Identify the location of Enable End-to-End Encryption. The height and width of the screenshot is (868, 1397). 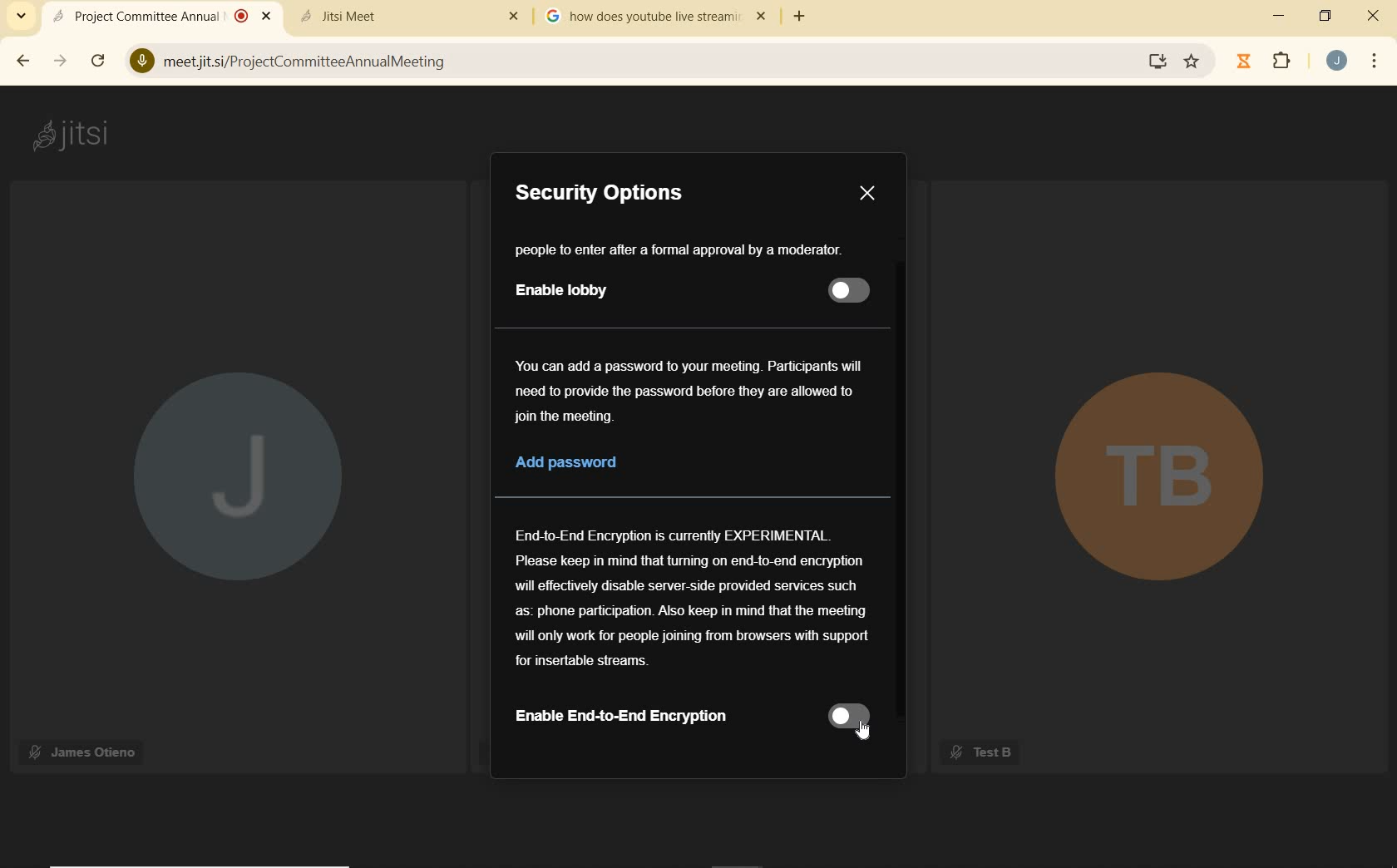
(645, 715).